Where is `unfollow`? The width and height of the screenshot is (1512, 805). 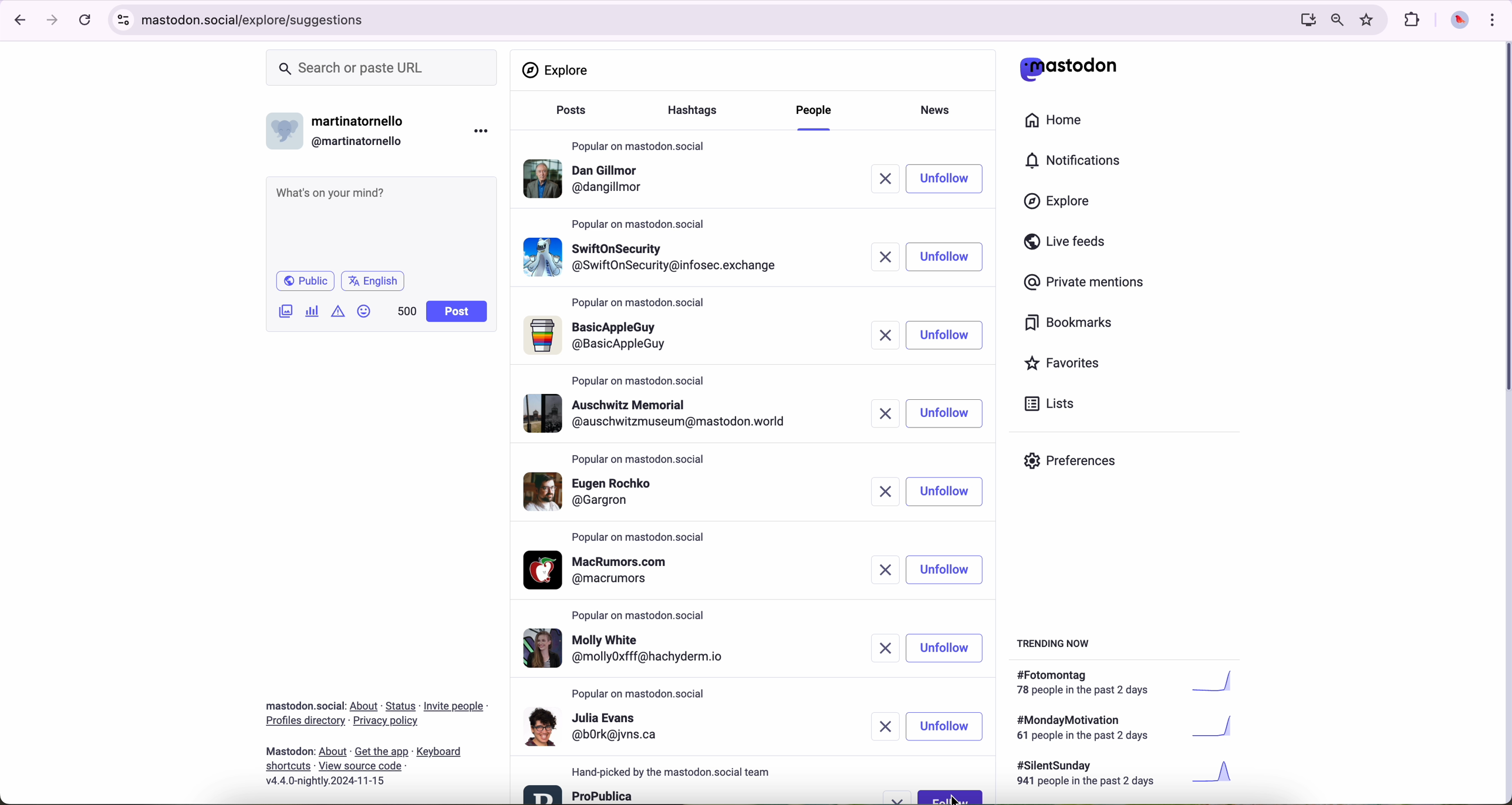
unfollow is located at coordinates (946, 413).